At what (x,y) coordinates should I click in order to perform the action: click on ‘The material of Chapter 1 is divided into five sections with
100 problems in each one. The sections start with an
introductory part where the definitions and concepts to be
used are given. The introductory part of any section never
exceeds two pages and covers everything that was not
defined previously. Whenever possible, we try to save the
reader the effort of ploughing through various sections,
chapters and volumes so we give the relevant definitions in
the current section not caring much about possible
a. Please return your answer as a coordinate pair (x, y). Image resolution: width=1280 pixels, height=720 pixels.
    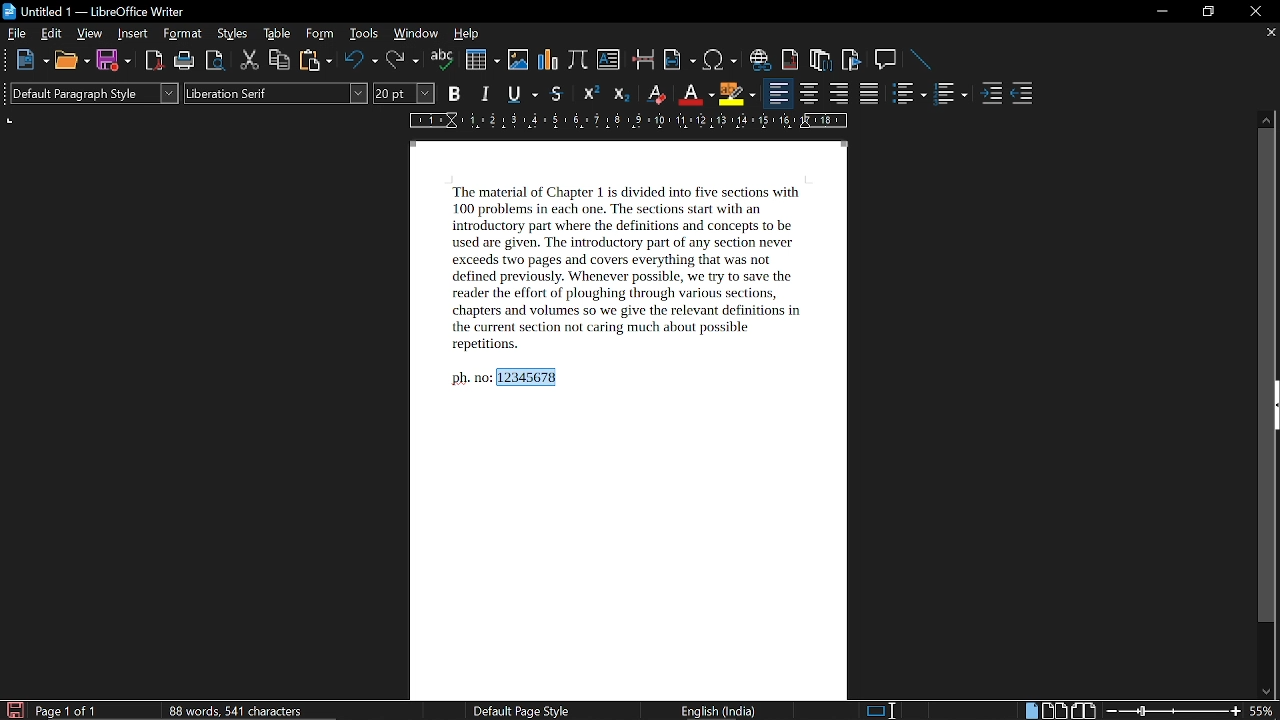
    Looking at the image, I should click on (622, 266).